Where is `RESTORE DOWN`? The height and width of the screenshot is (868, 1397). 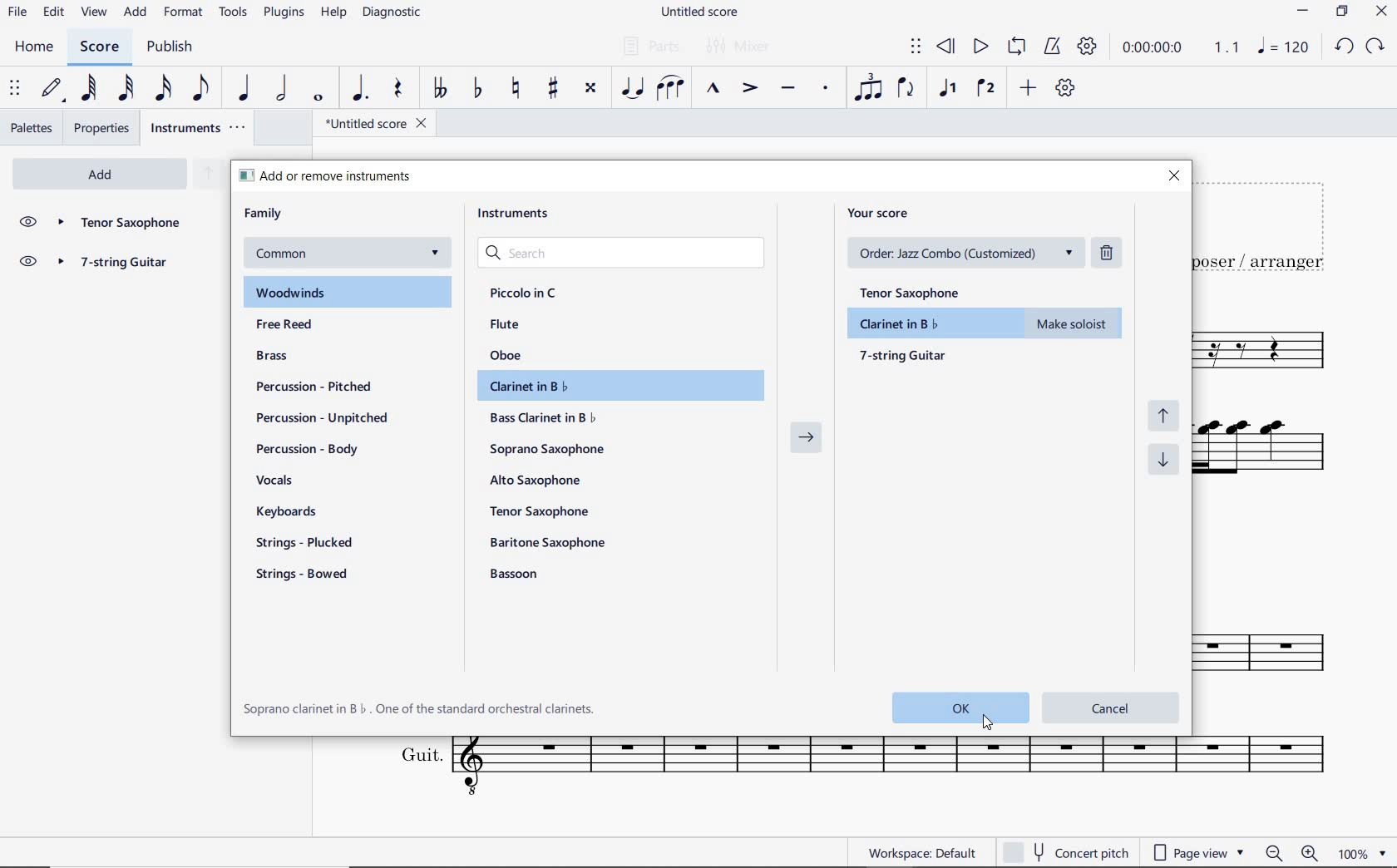
RESTORE DOWN is located at coordinates (1345, 12).